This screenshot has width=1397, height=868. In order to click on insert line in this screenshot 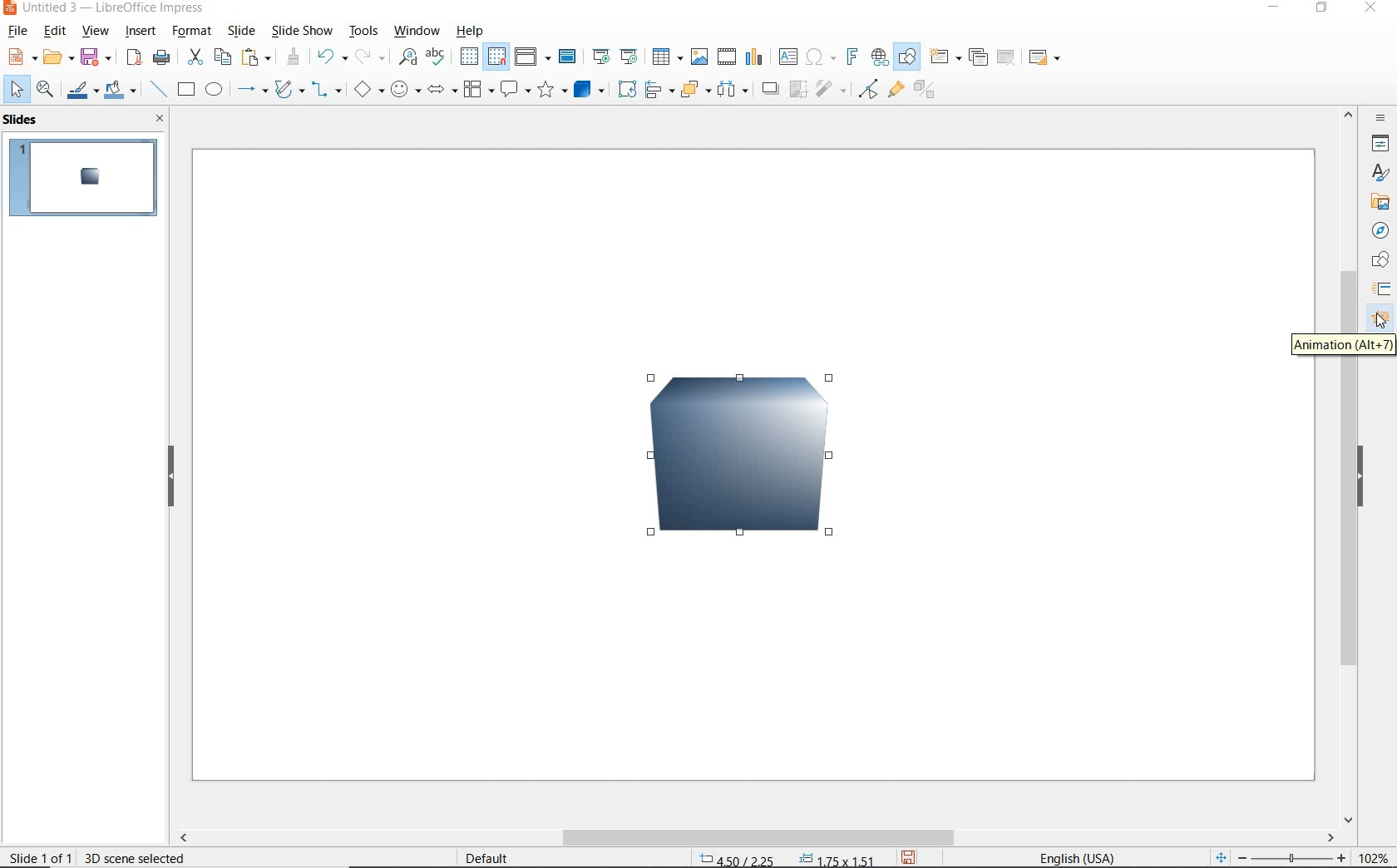, I will do `click(159, 90)`.